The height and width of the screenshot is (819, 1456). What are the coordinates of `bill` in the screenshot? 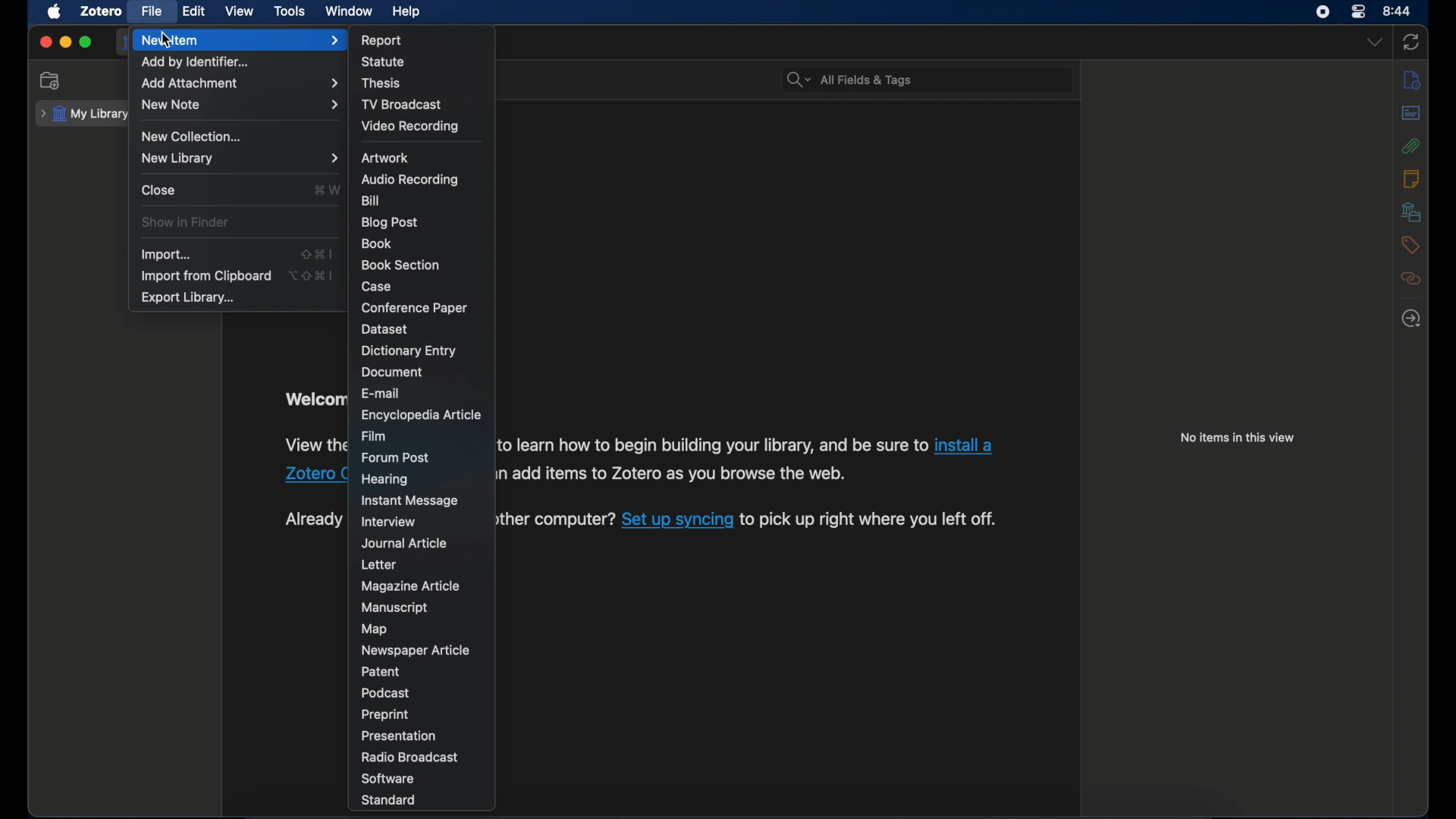 It's located at (372, 200).